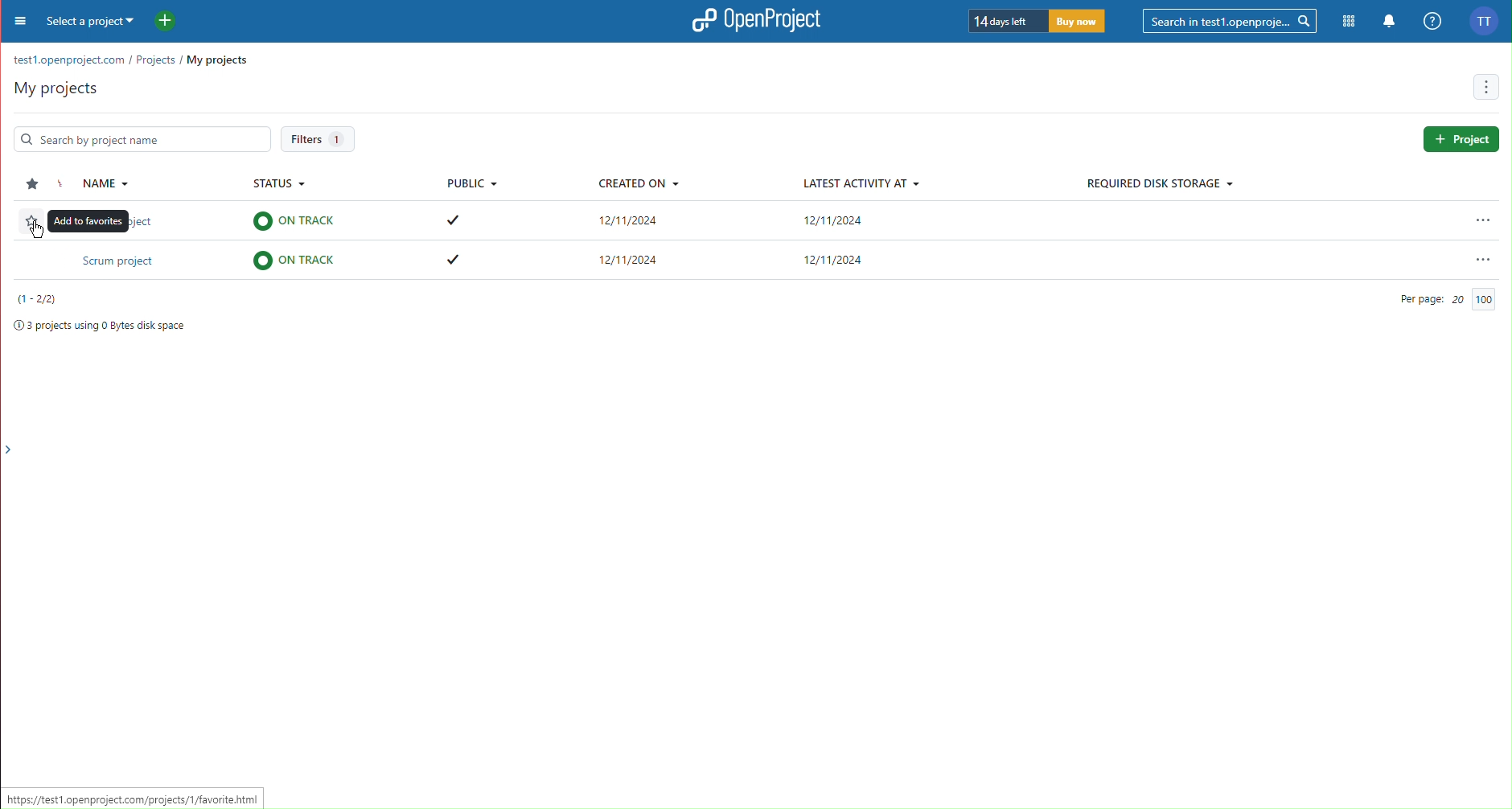 The height and width of the screenshot is (809, 1512). I want to click on Latest Activity at, so click(859, 183).